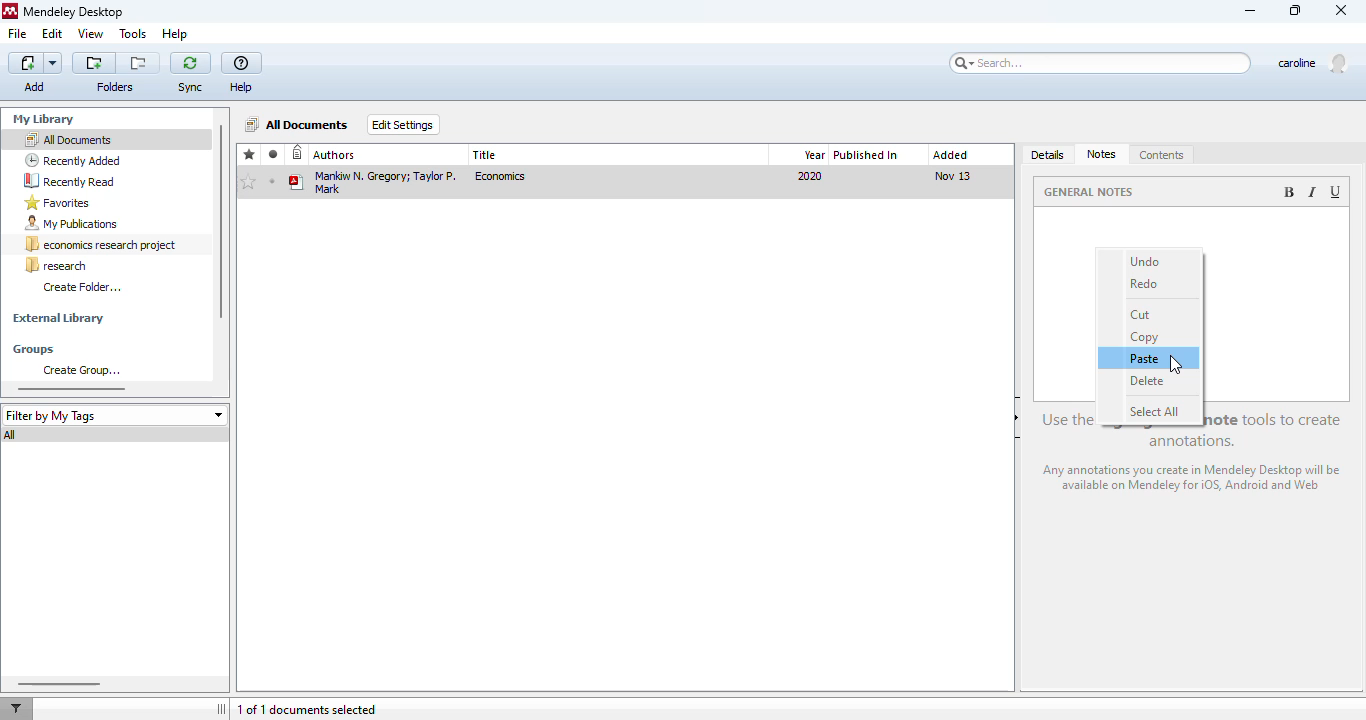 This screenshot has width=1366, height=720. What do you see at coordinates (57, 683) in the screenshot?
I see `horizontal scroll bar` at bounding box center [57, 683].